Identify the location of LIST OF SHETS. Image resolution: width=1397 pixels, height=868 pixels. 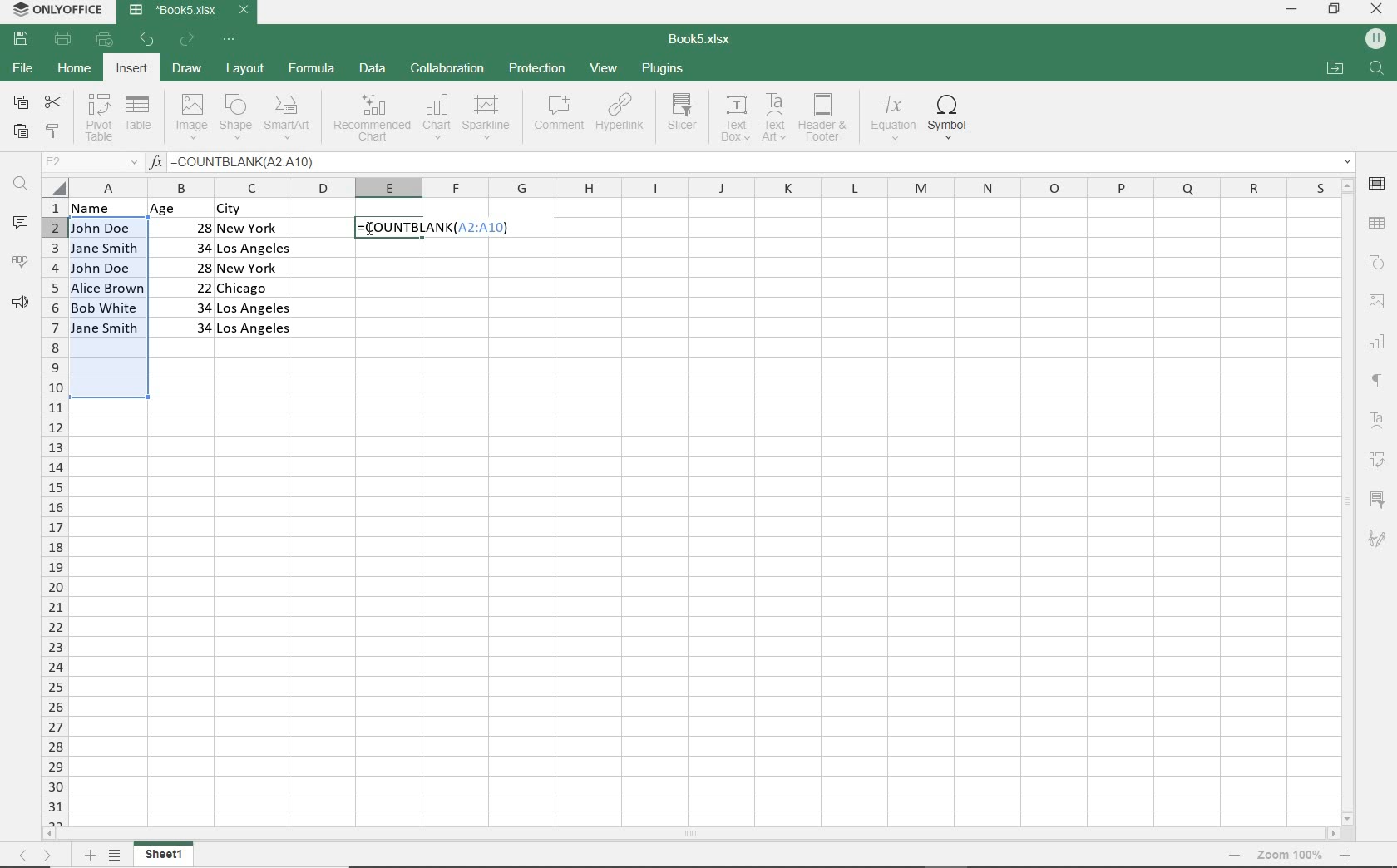
(115, 856).